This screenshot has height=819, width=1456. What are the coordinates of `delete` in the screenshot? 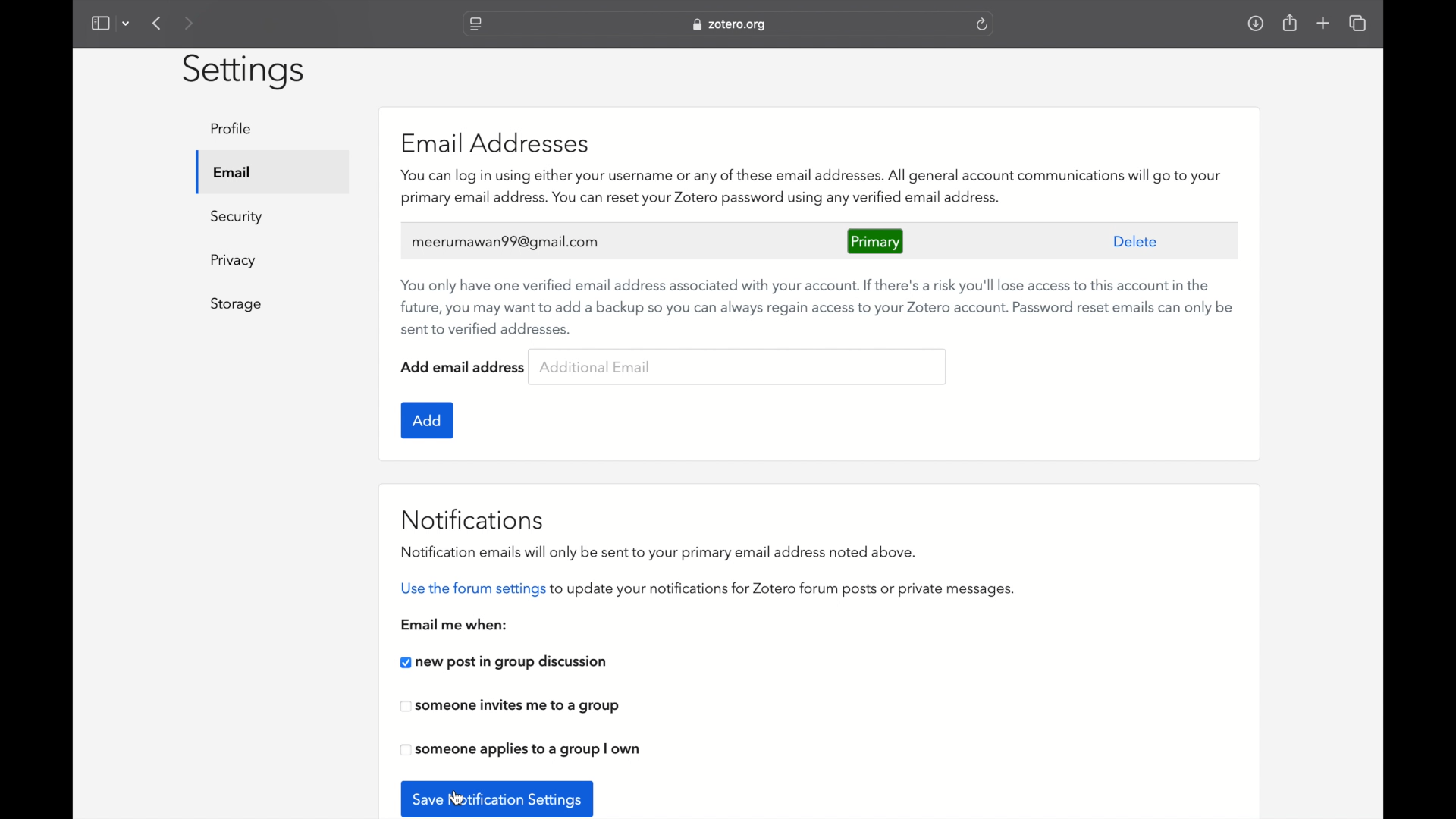 It's located at (1134, 240).